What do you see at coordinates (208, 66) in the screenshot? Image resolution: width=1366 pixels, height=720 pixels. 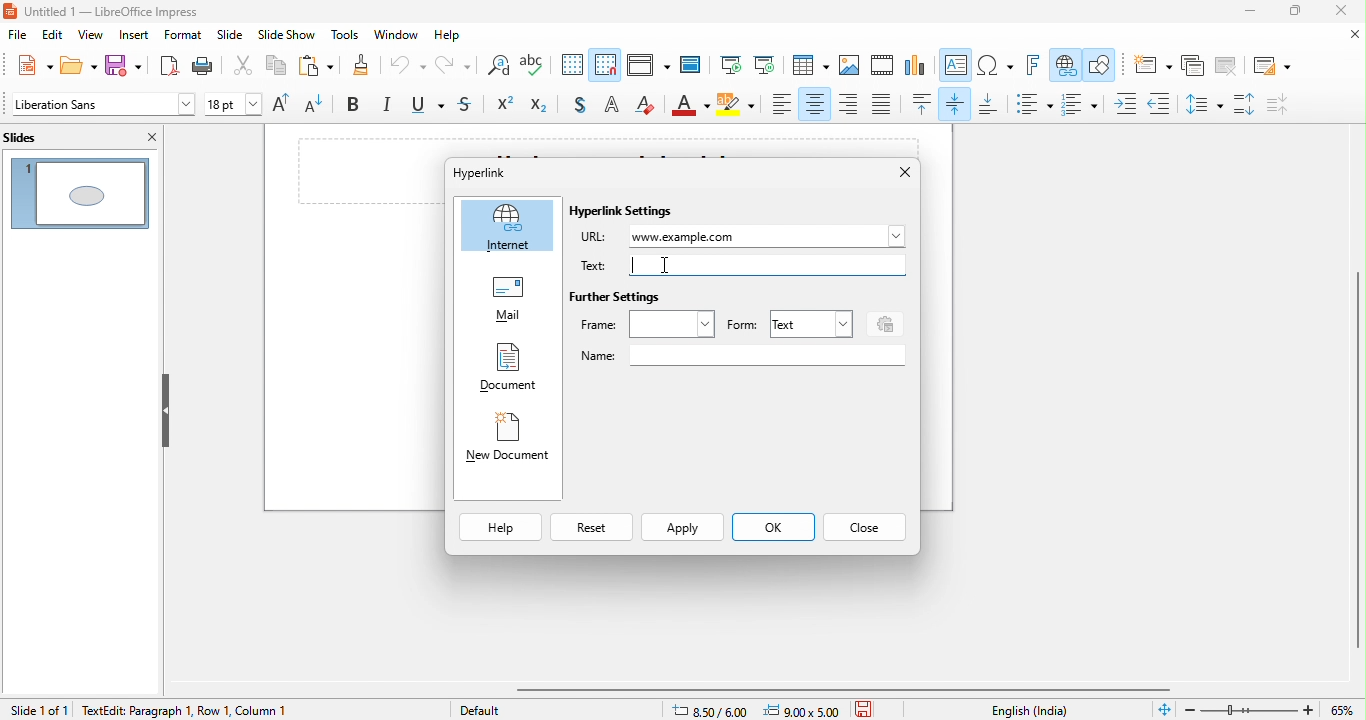 I see `print` at bounding box center [208, 66].